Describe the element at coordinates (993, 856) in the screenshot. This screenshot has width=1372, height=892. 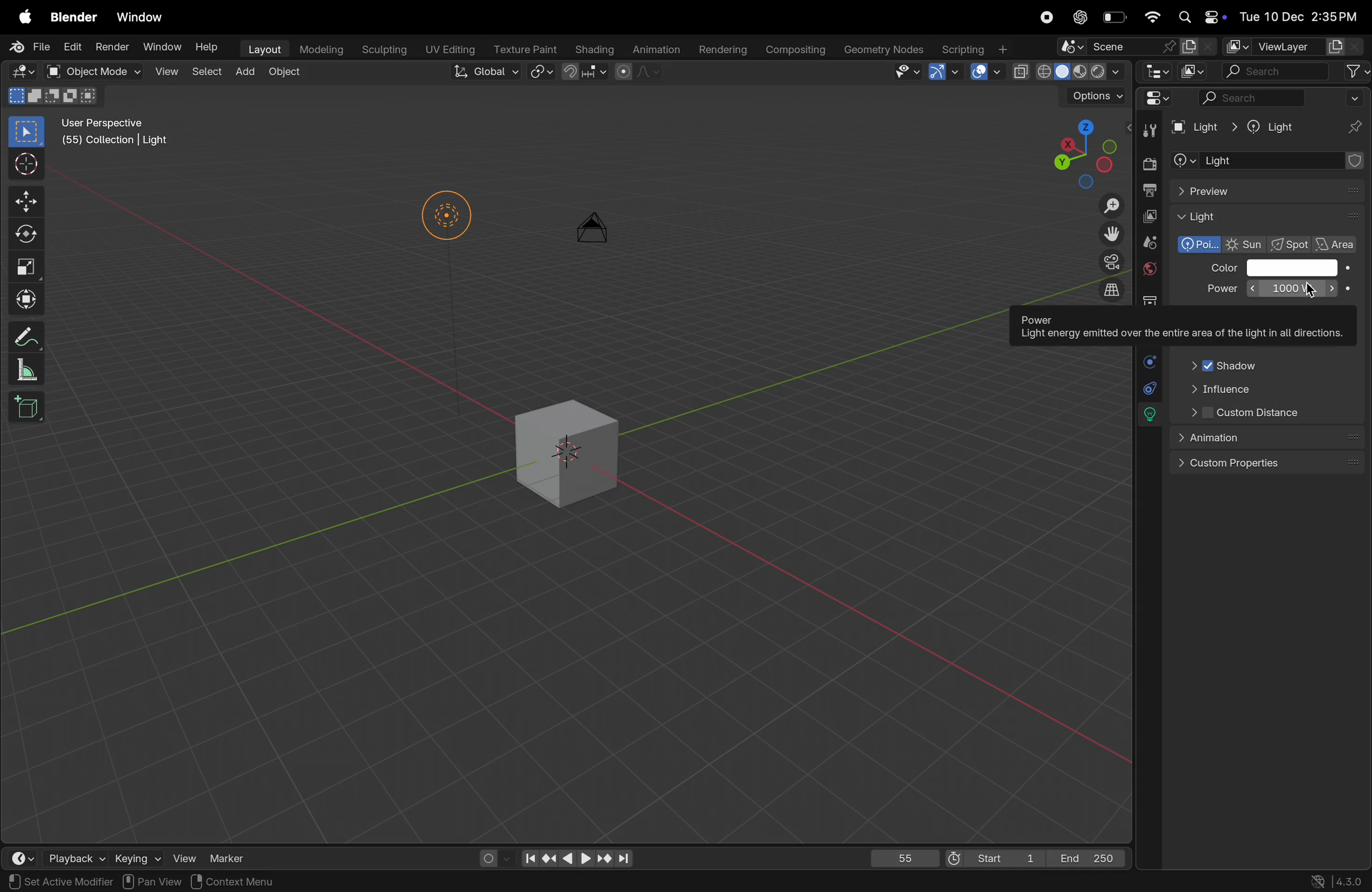
I see `Start 1` at that location.